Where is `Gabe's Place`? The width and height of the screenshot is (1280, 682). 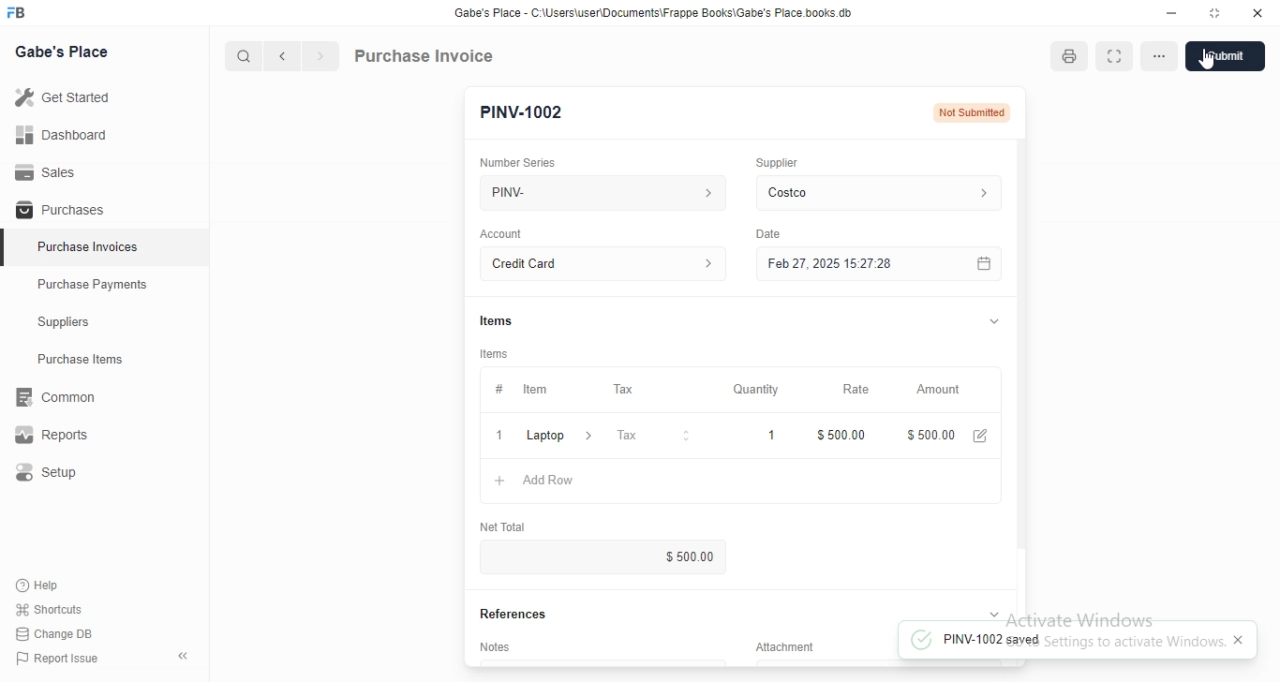 Gabe's Place is located at coordinates (61, 51).